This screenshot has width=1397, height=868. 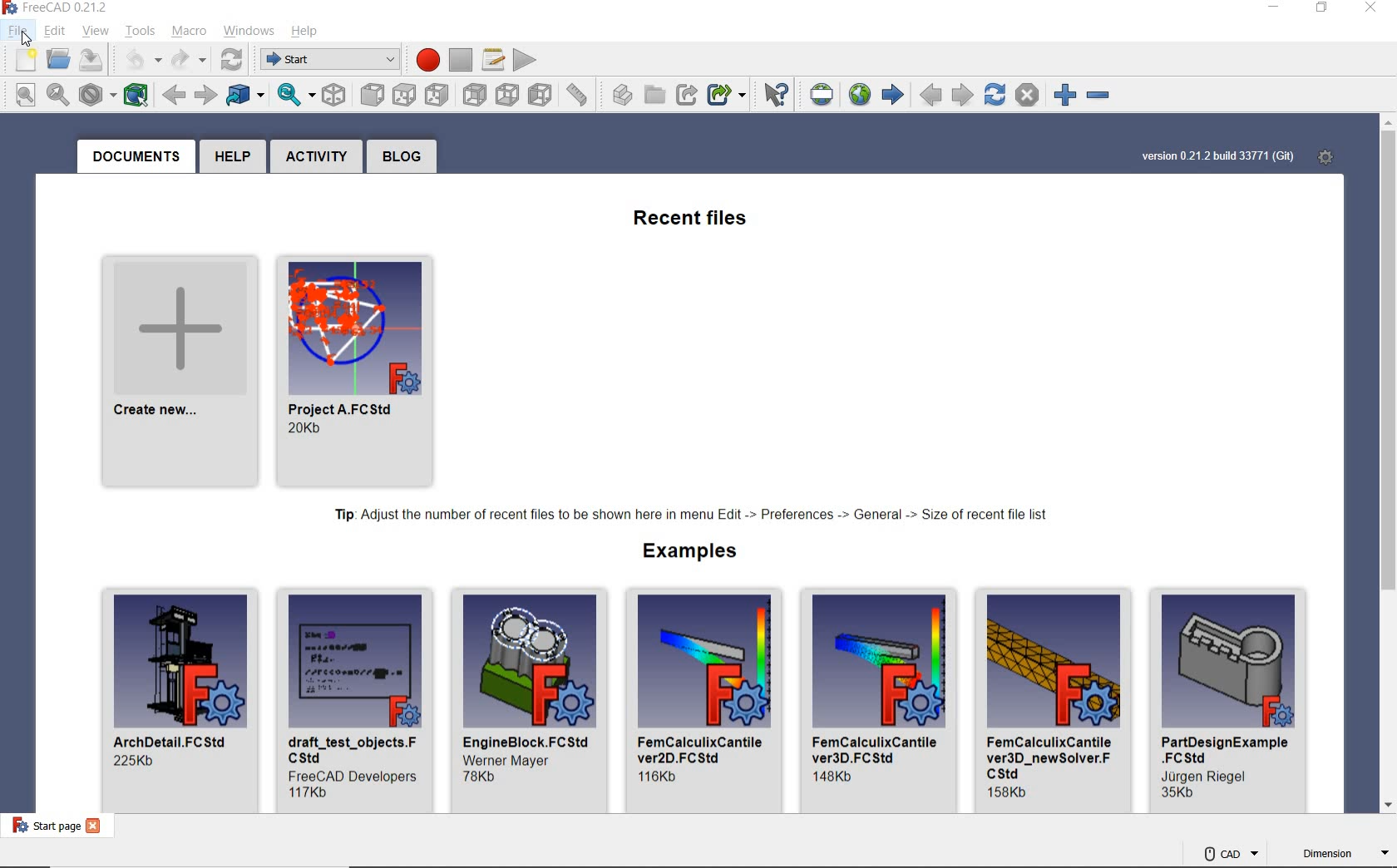 I want to click on SET URL, so click(x=823, y=95).